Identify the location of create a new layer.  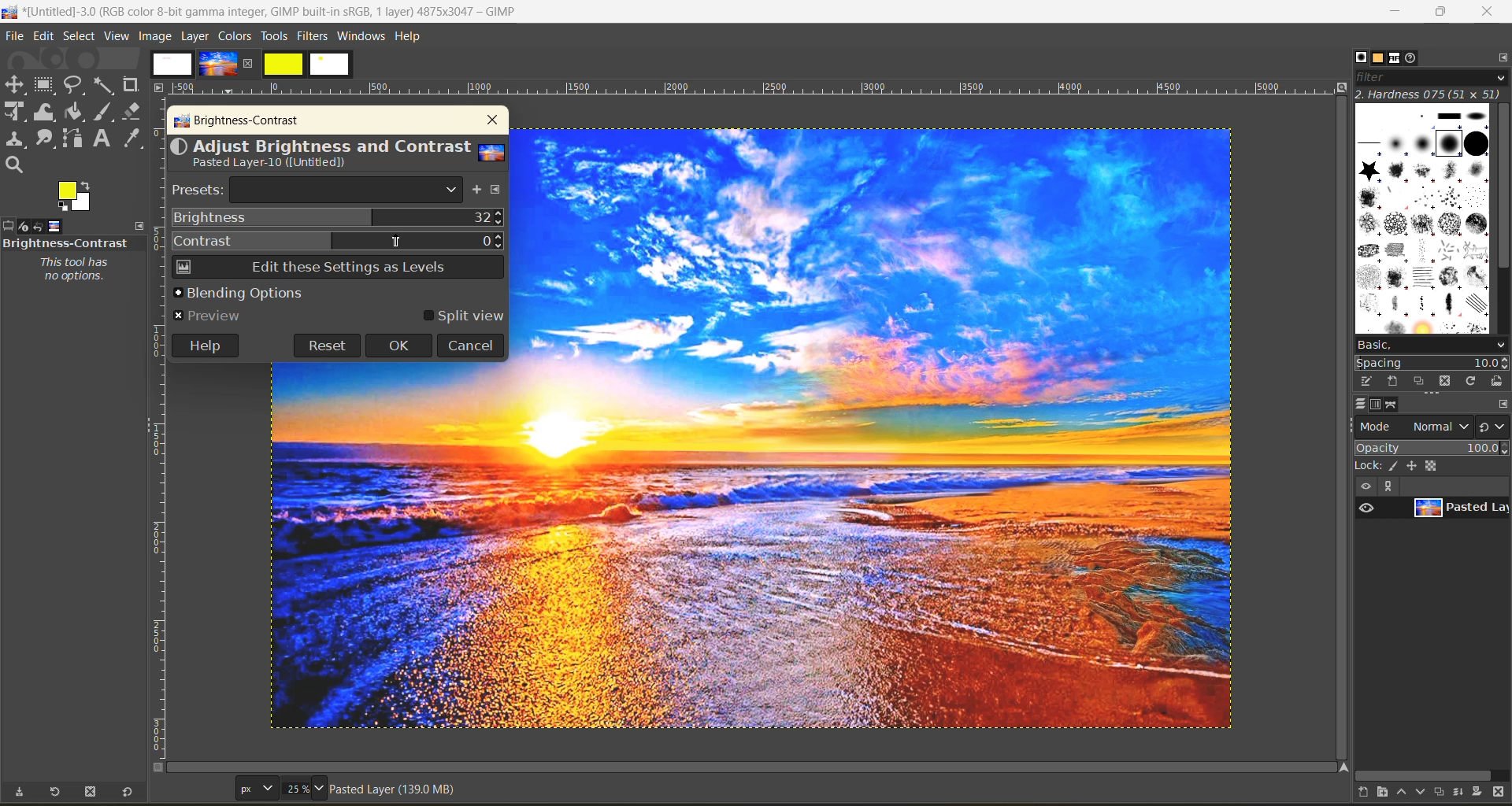
(1369, 794).